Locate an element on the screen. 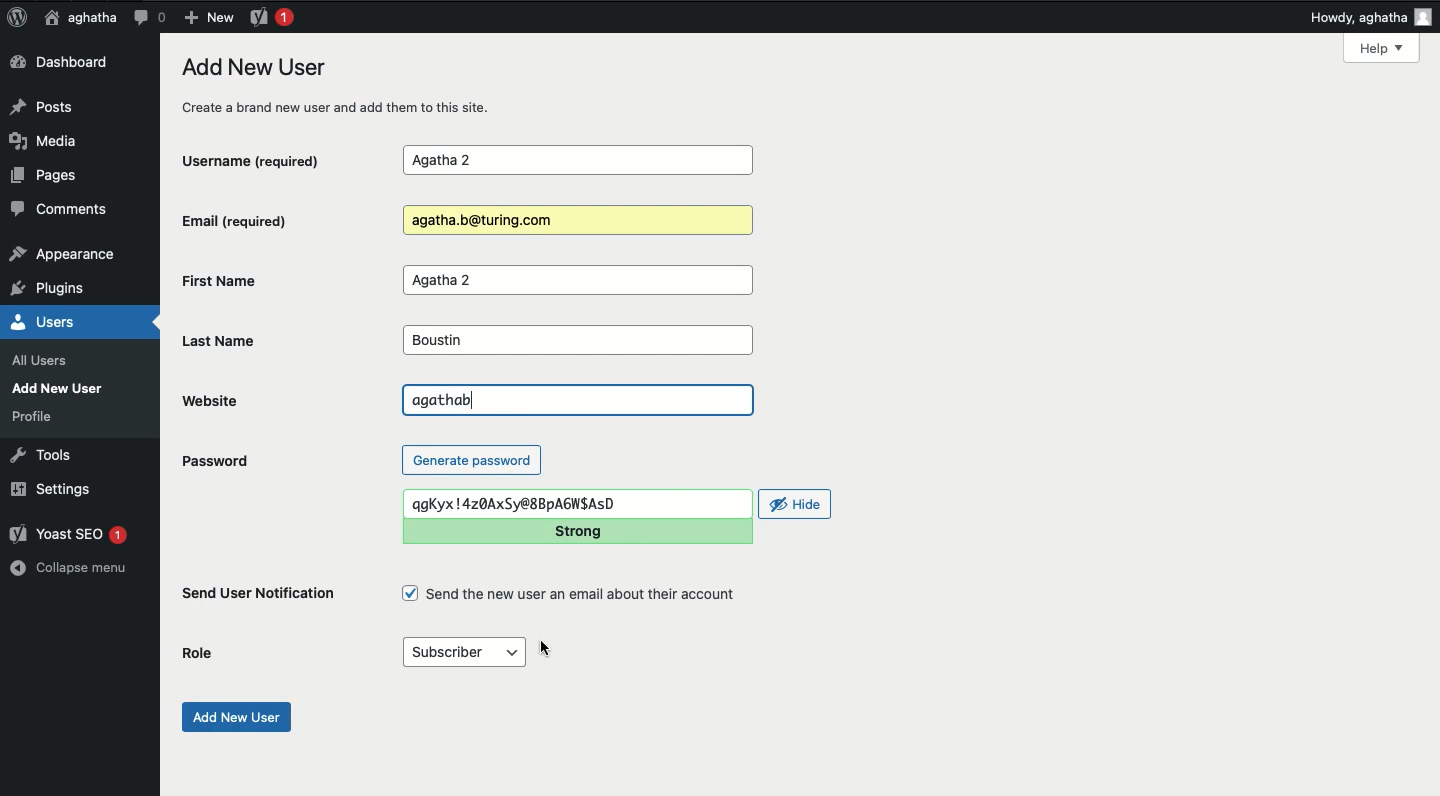  aghatha is located at coordinates (77, 17).